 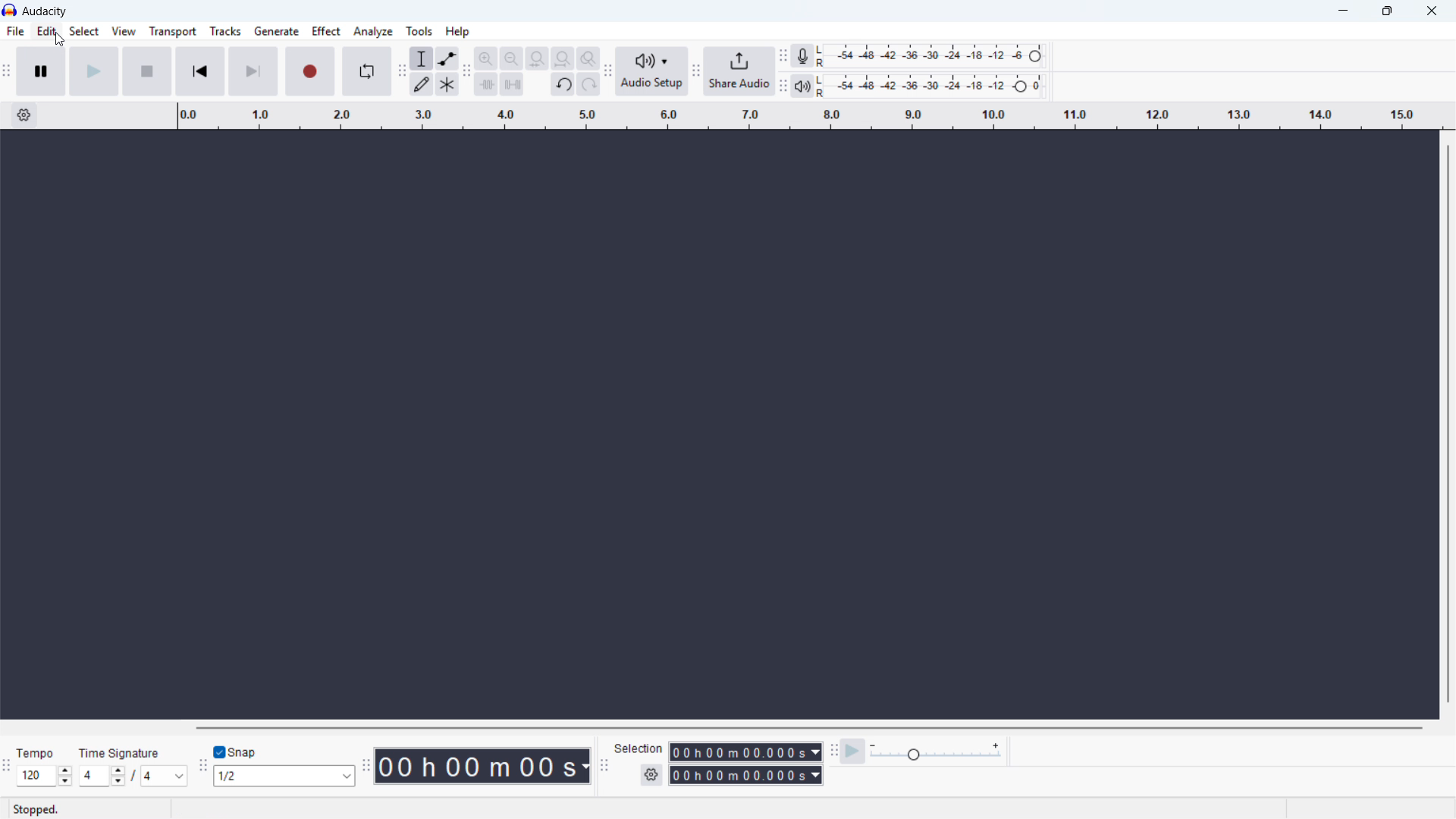 What do you see at coordinates (422, 58) in the screenshot?
I see `selection tool` at bounding box center [422, 58].